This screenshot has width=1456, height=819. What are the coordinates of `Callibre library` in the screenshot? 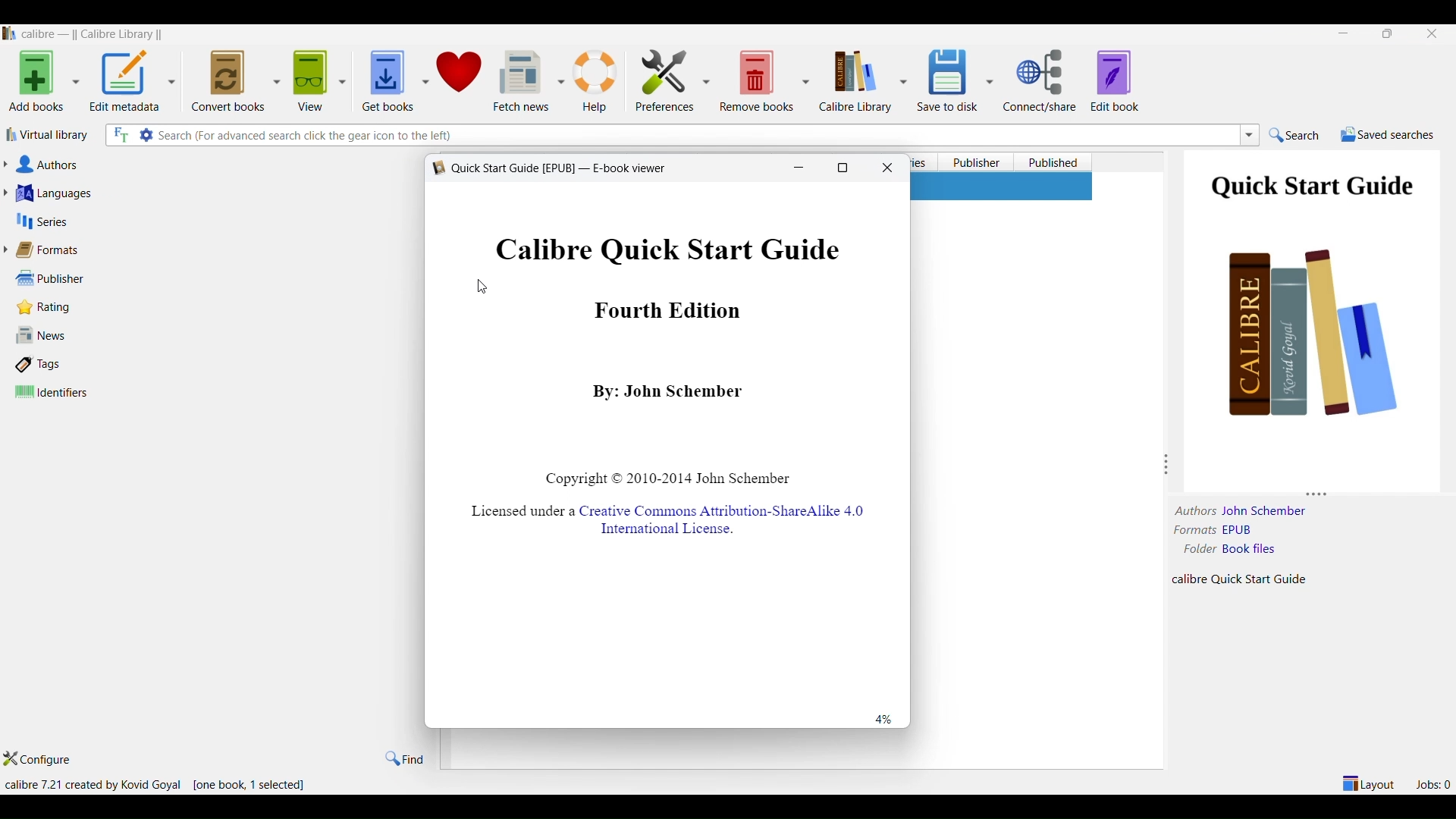 It's located at (90, 35).